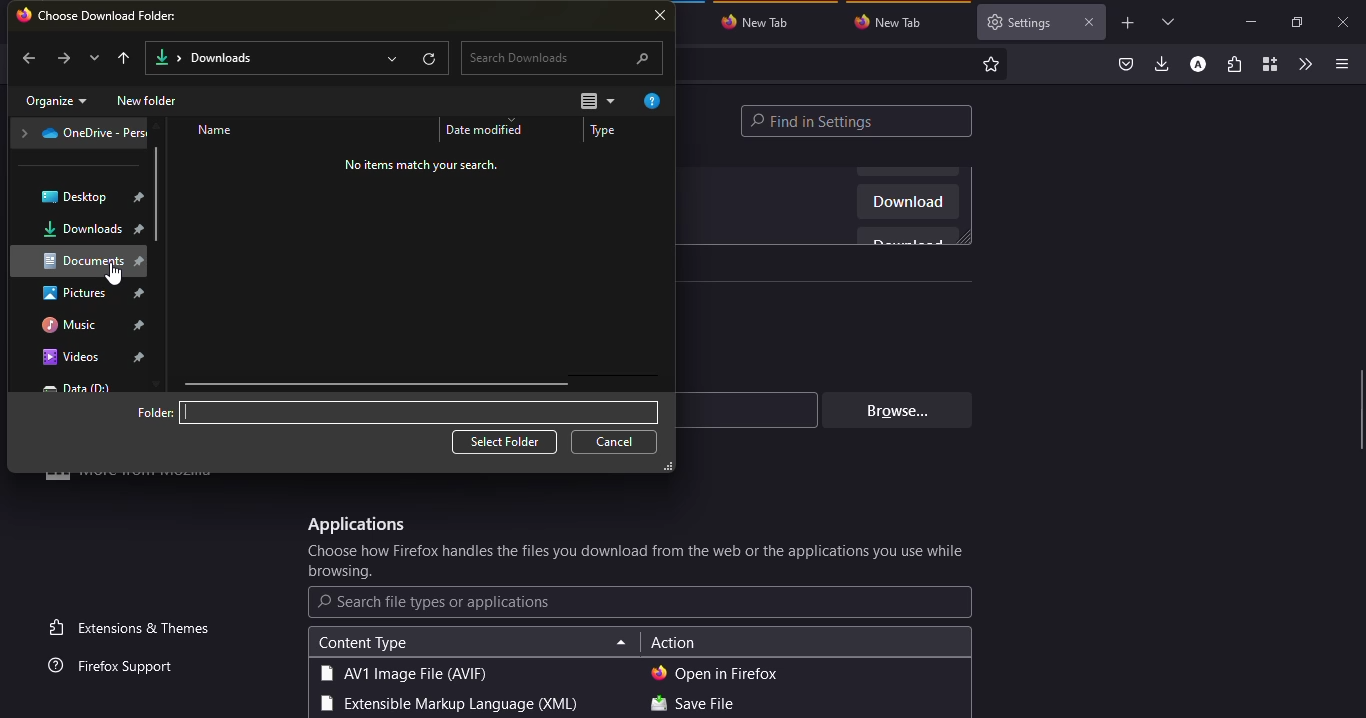 This screenshot has width=1366, height=718. What do you see at coordinates (1268, 65) in the screenshot?
I see `container` at bounding box center [1268, 65].